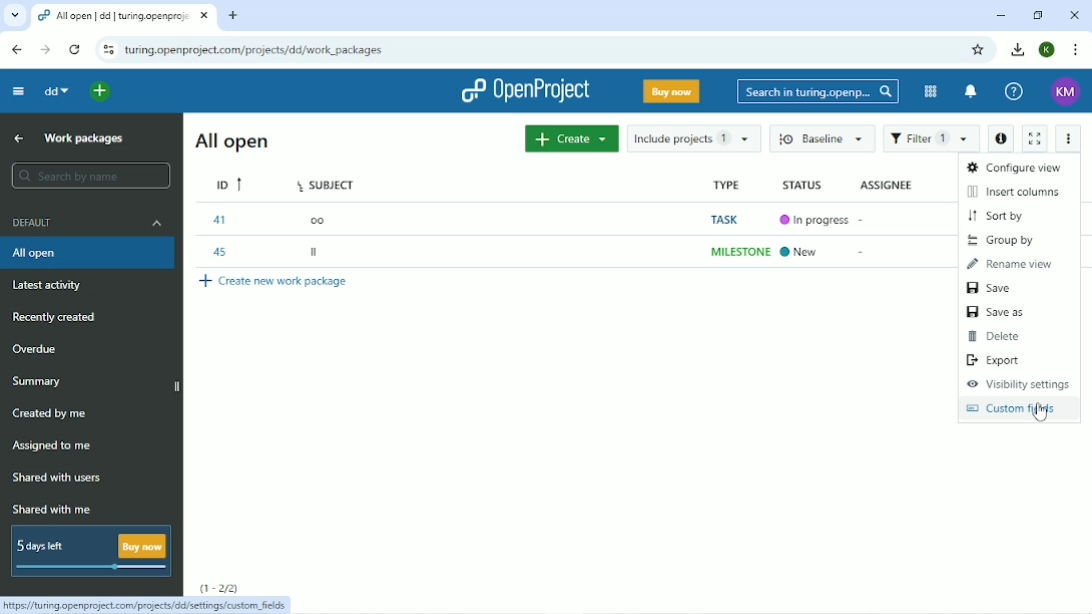 The image size is (1092, 614). I want to click on Minimize, so click(1001, 16).